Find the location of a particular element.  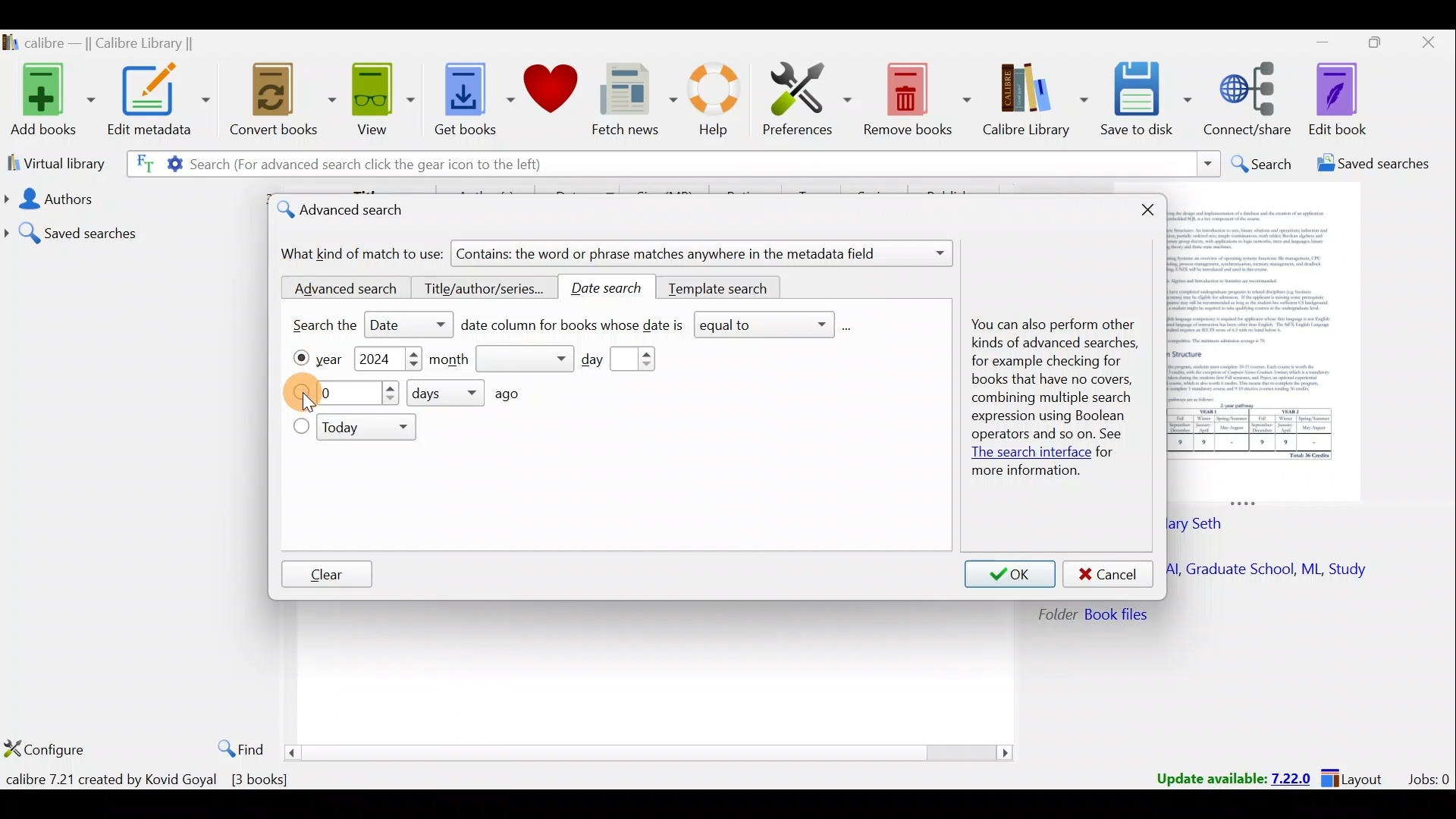

Minimize is located at coordinates (1314, 42).